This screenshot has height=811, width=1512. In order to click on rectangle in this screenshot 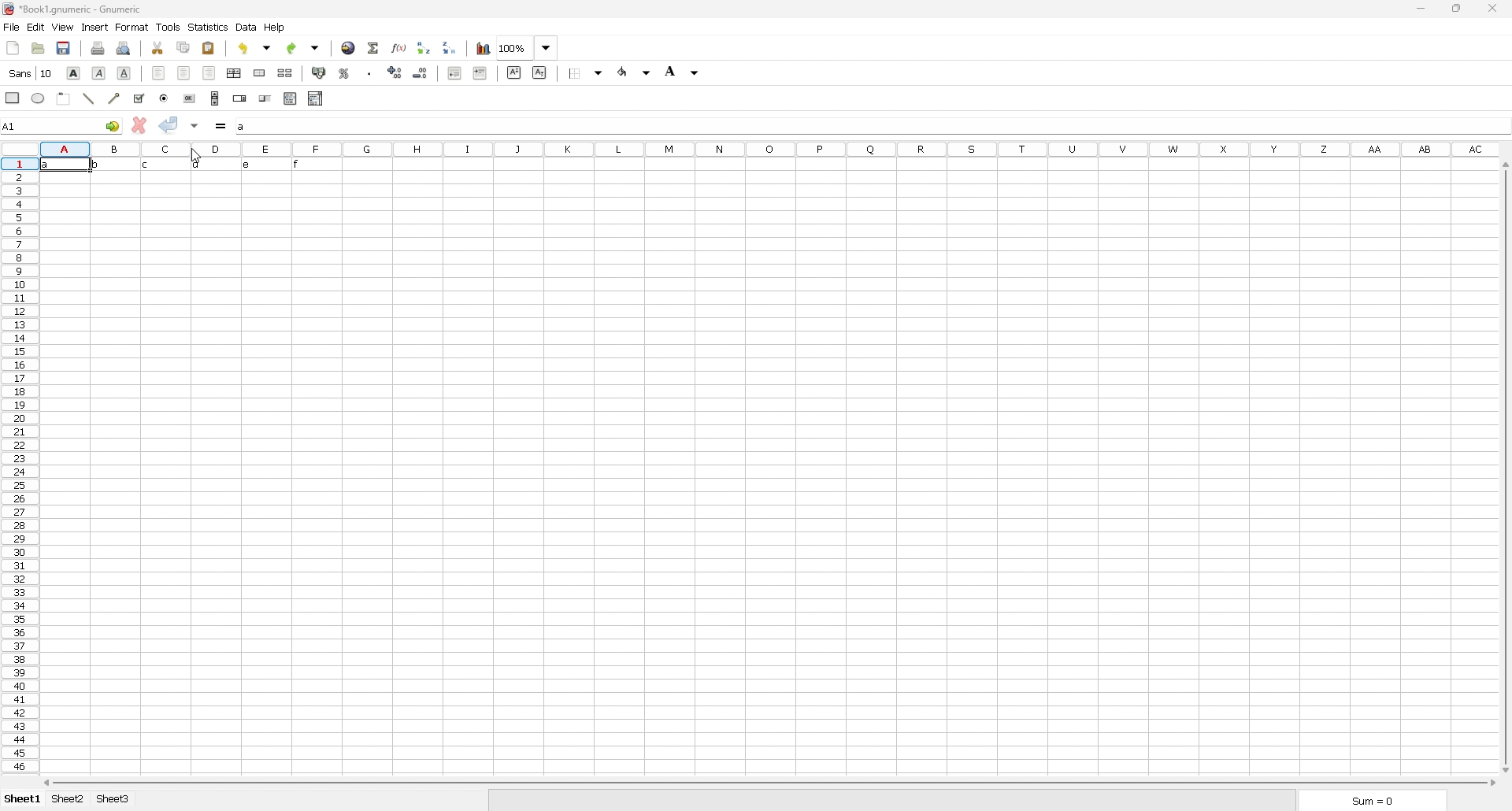, I will do `click(13, 97)`.